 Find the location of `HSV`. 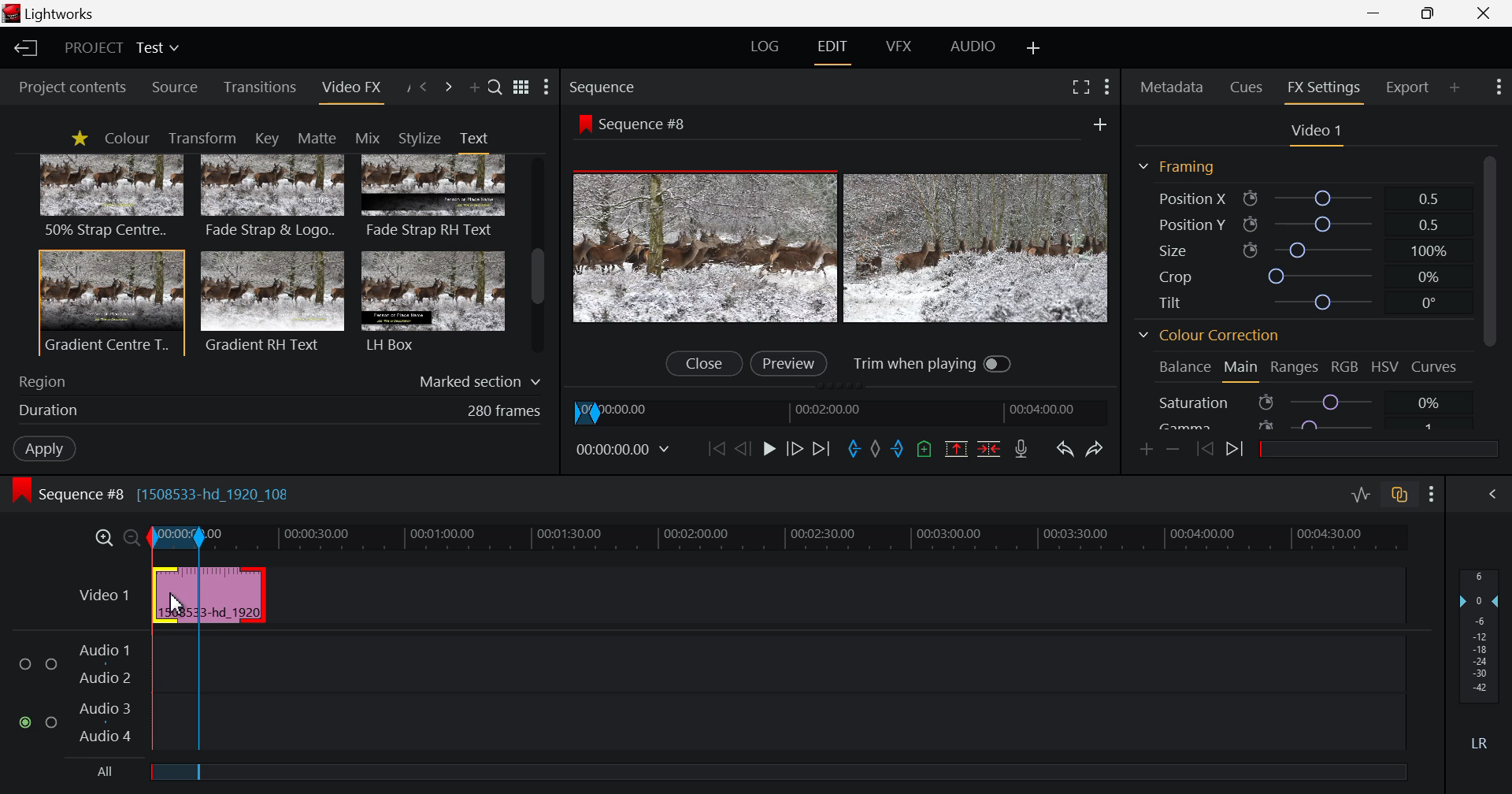

HSV is located at coordinates (1388, 368).